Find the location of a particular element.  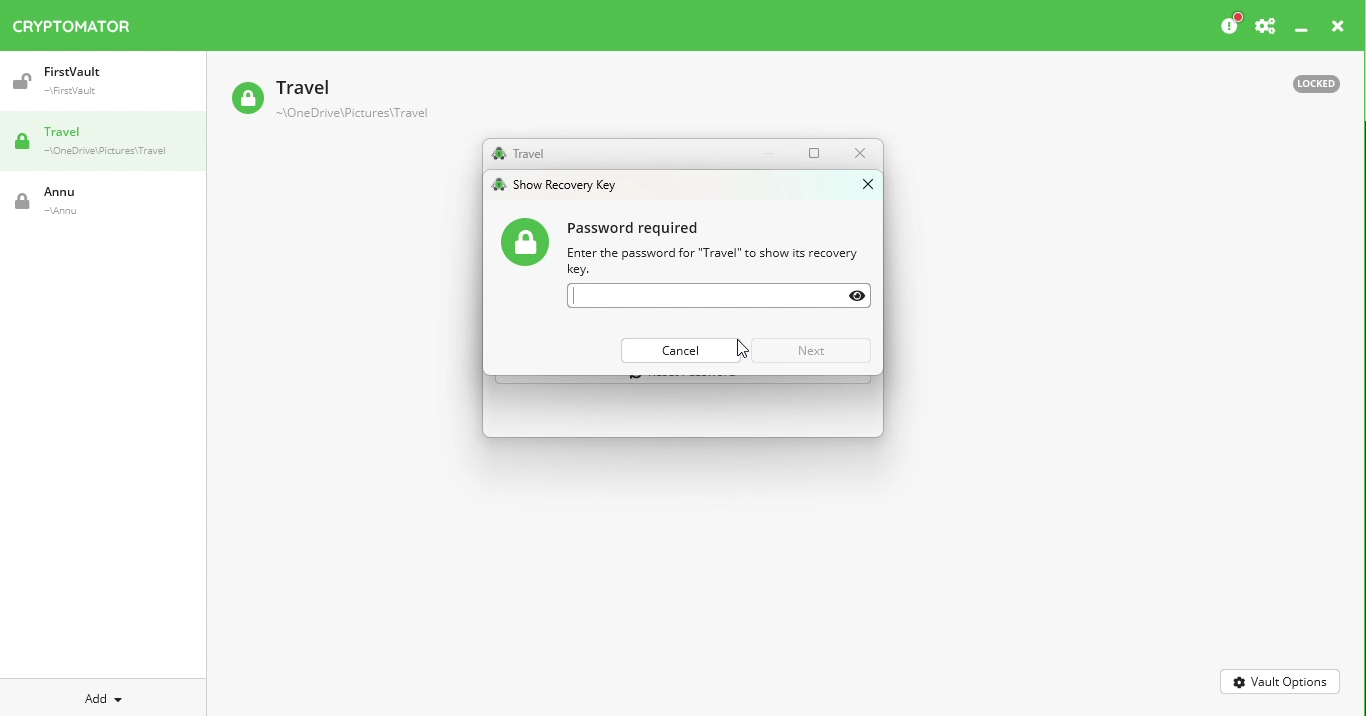

Vault is located at coordinates (329, 101).